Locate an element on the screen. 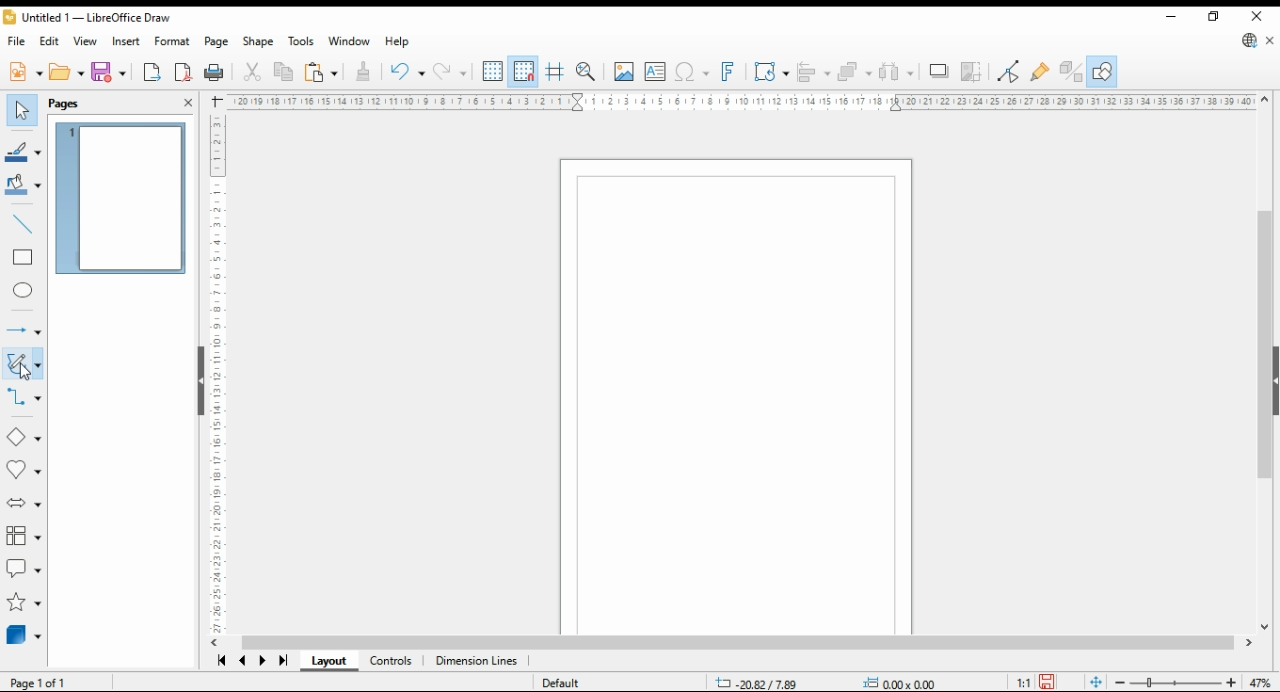 Image resolution: width=1280 pixels, height=692 pixels. zoom slider is located at coordinates (1174, 682).